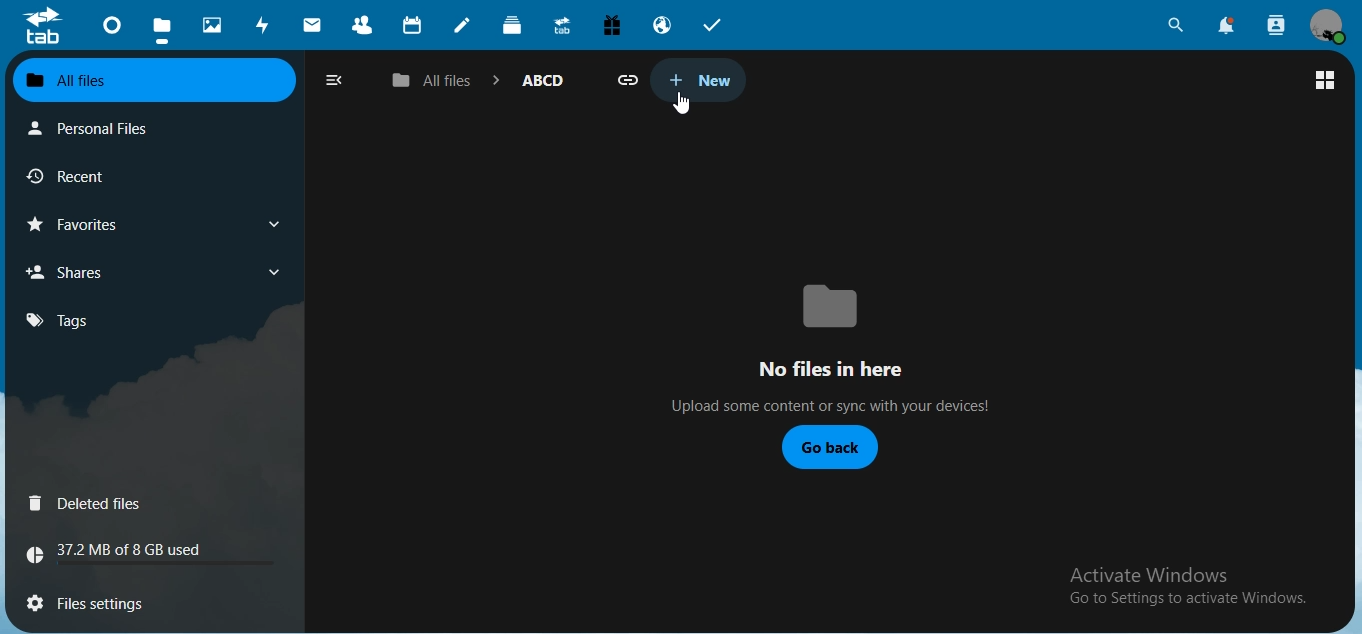 Image resolution: width=1362 pixels, height=634 pixels. I want to click on text, so click(821, 345).